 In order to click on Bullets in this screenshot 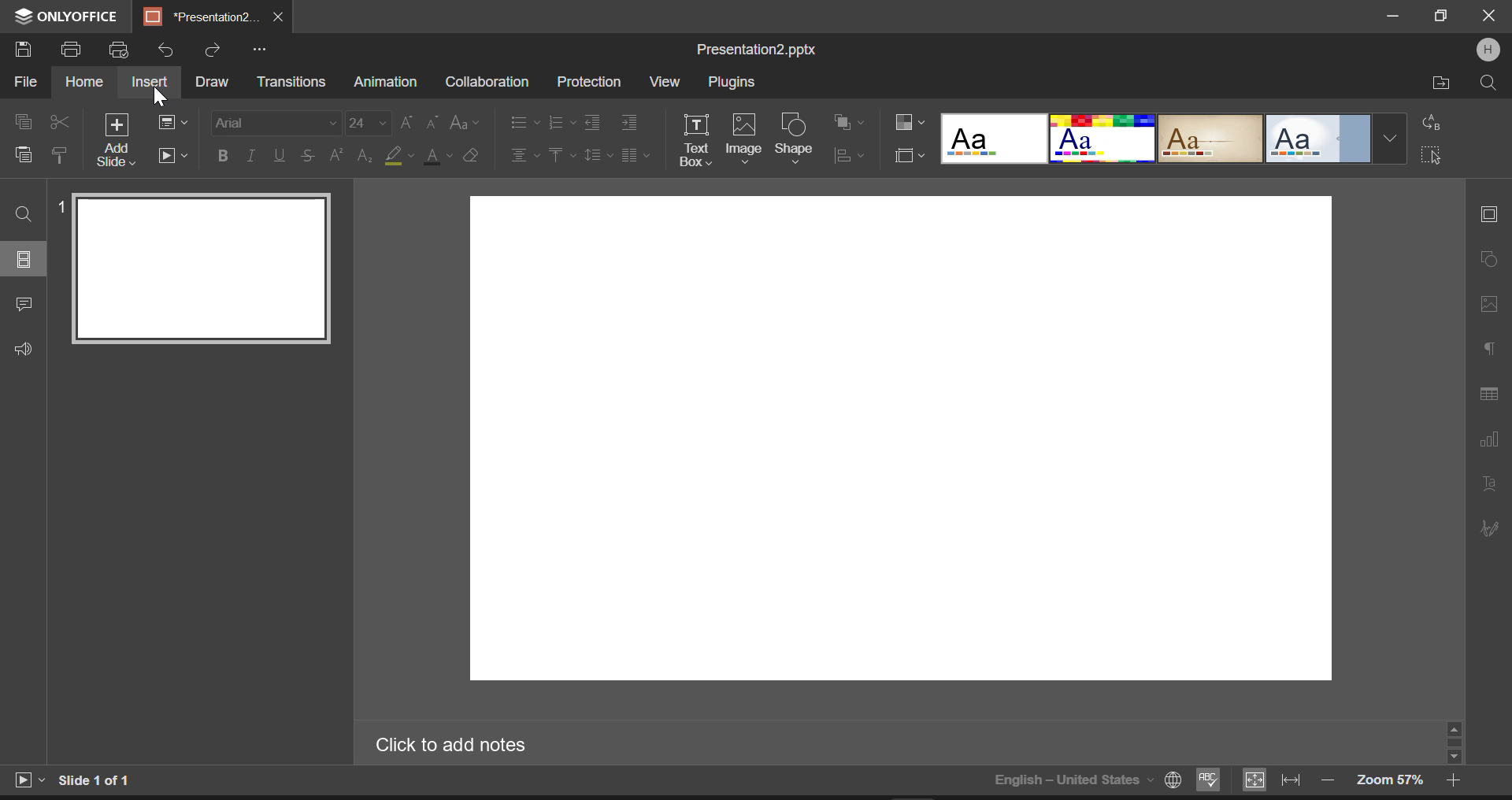, I will do `click(521, 122)`.